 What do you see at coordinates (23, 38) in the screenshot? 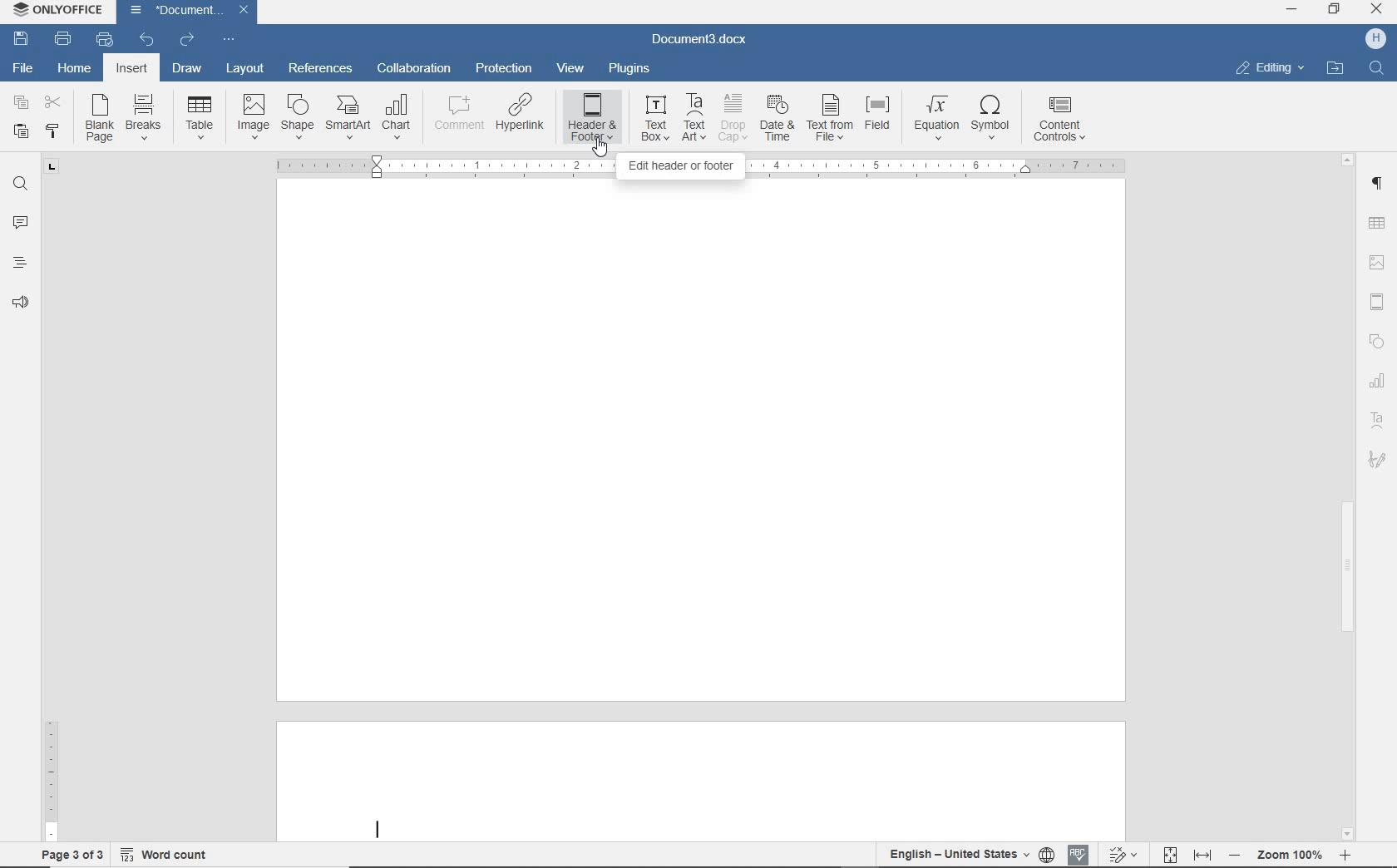
I see `SAVE` at bounding box center [23, 38].